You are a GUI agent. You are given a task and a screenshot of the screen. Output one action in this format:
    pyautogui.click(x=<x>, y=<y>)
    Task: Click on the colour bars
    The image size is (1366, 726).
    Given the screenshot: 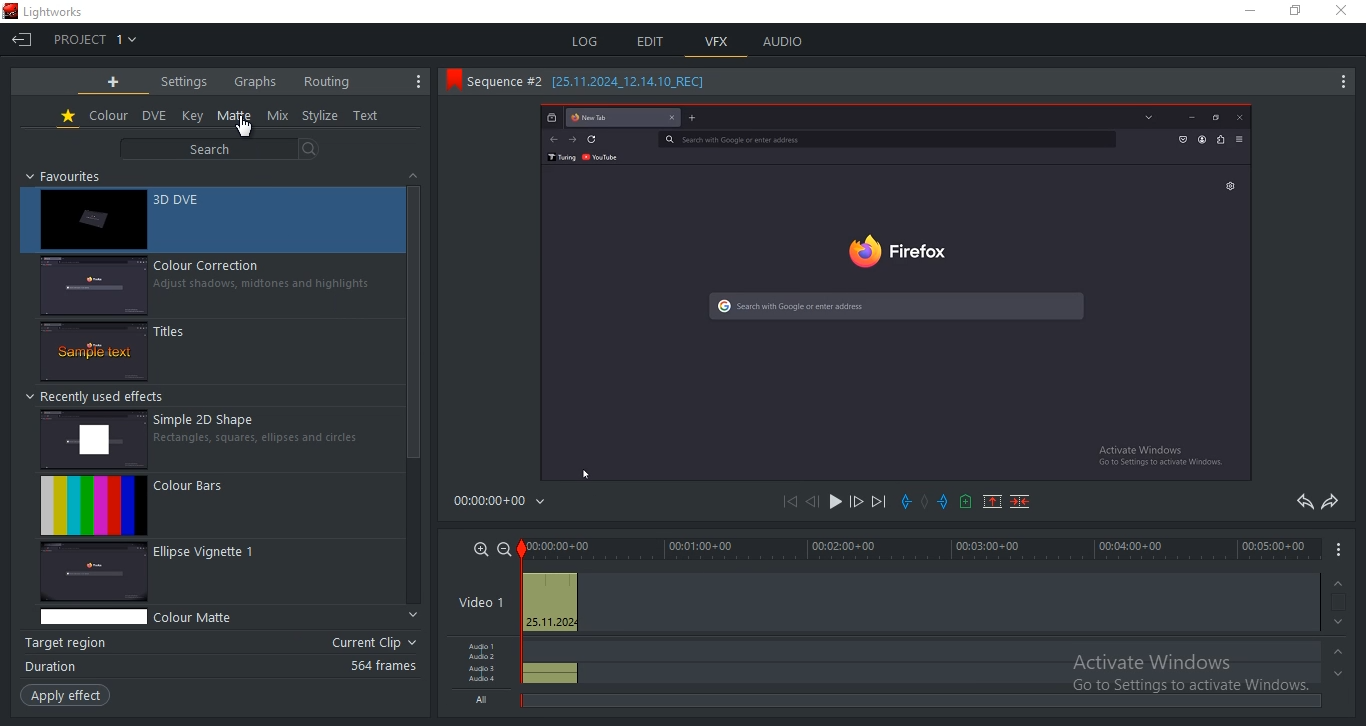 What is the action you would take?
    pyautogui.click(x=219, y=506)
    